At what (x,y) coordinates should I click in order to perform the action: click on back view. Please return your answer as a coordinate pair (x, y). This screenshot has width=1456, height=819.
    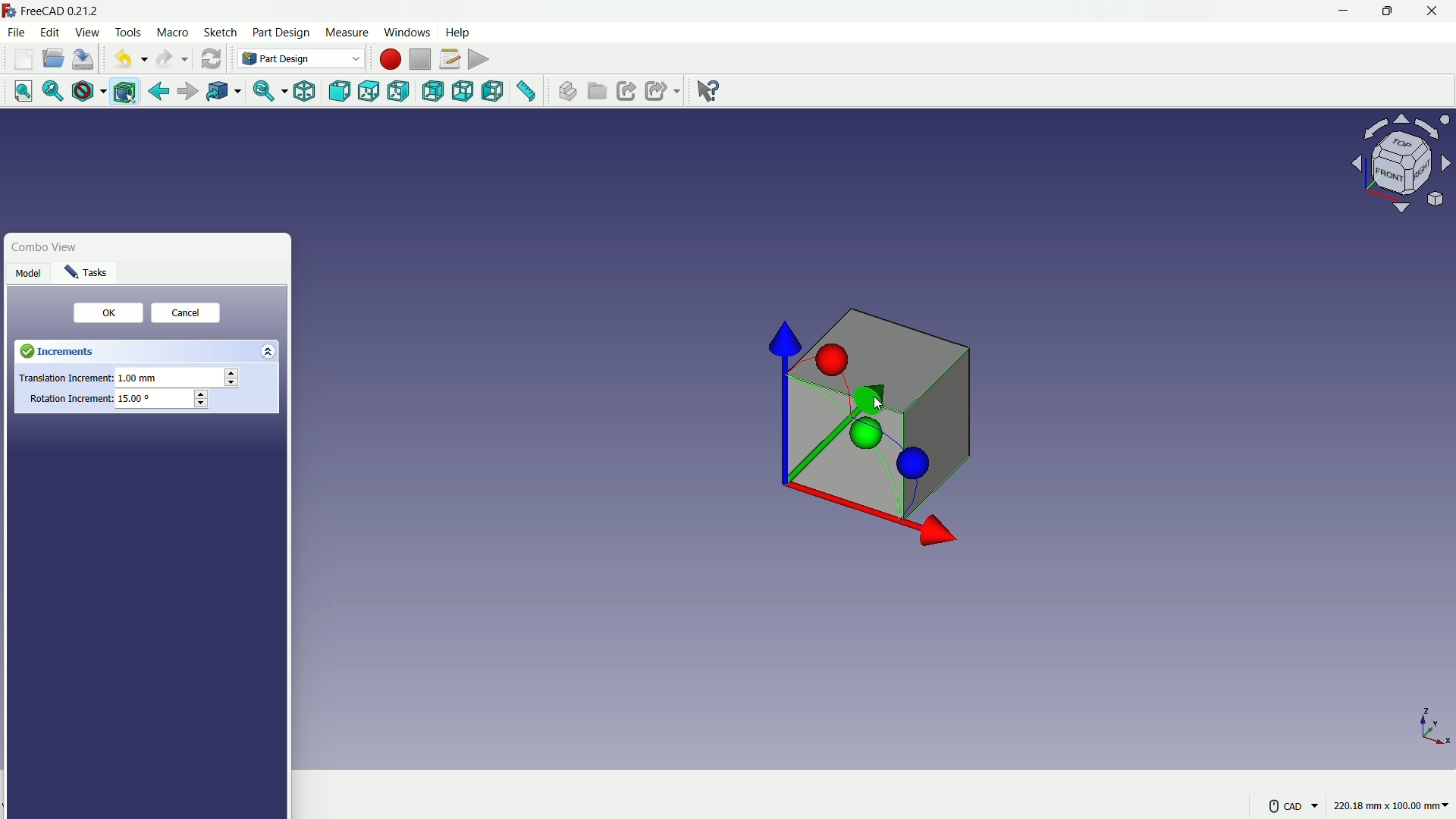
    Looking at the image, I should click on (435, 93).